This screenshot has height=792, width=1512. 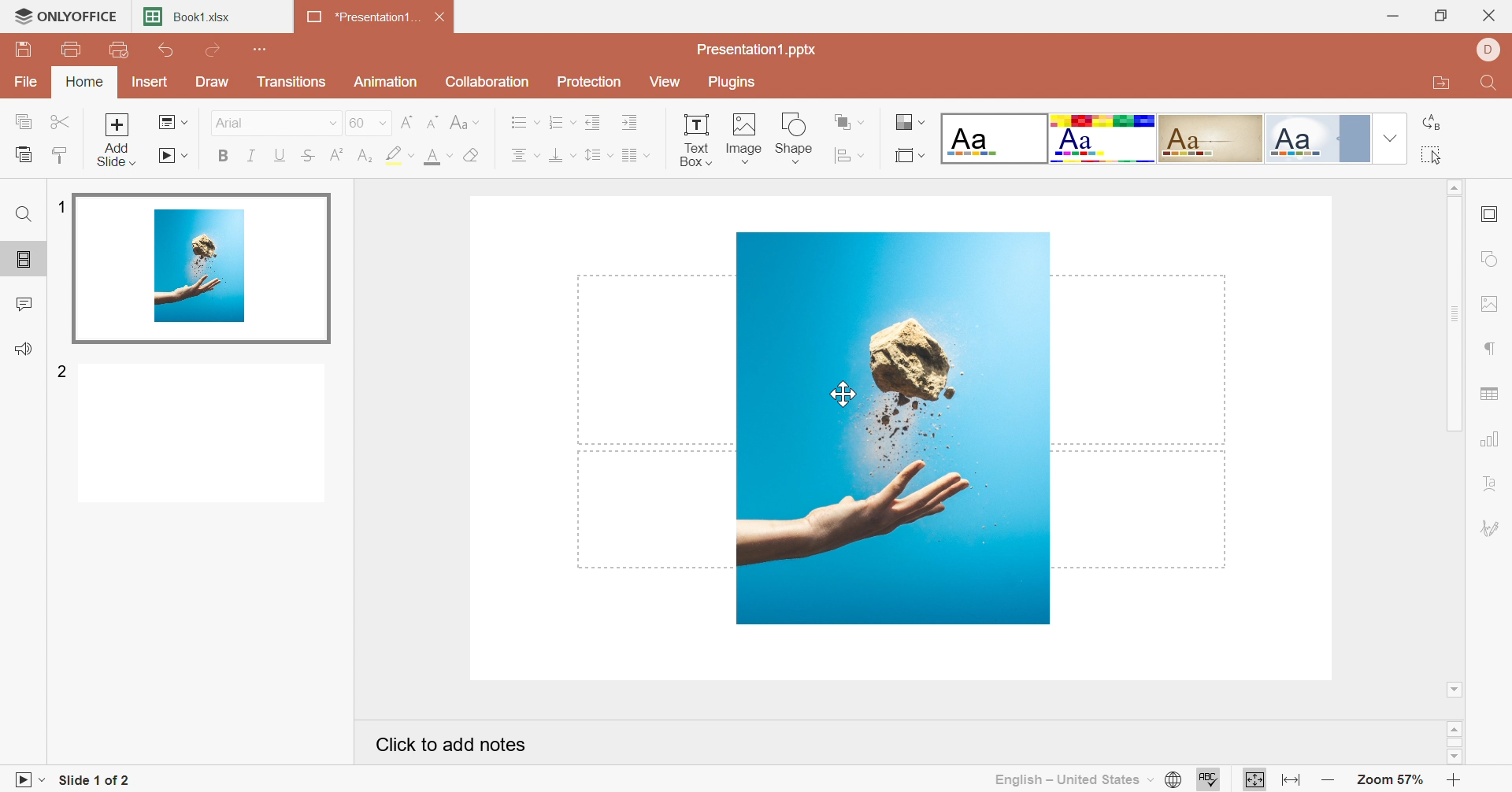 What do you see at coordinates (204, 265) in the screenshot?
I see `Slide` at bounding box center [204, 265].